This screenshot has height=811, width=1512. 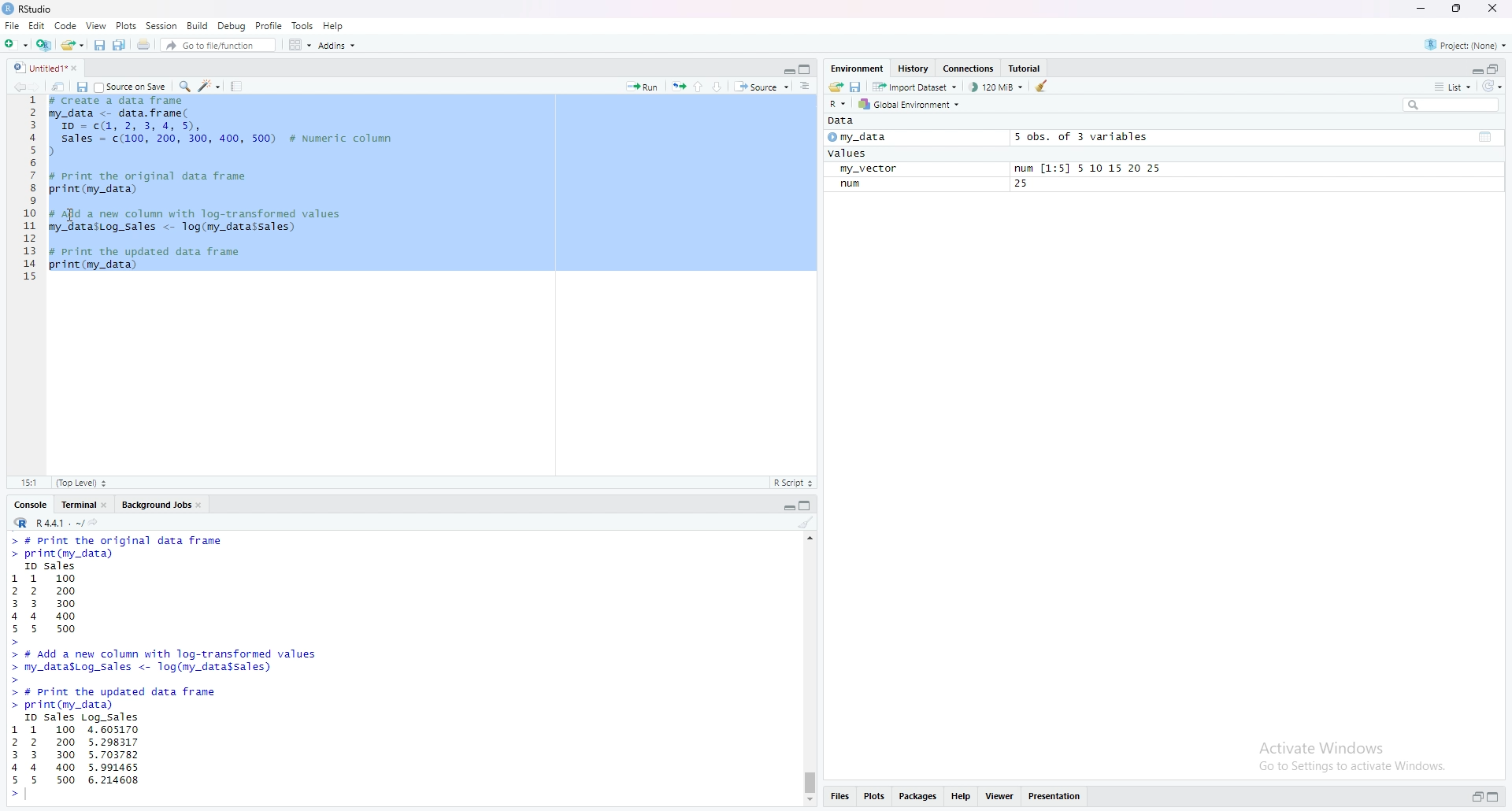 I want to click on close, so click(x=80, y=69).